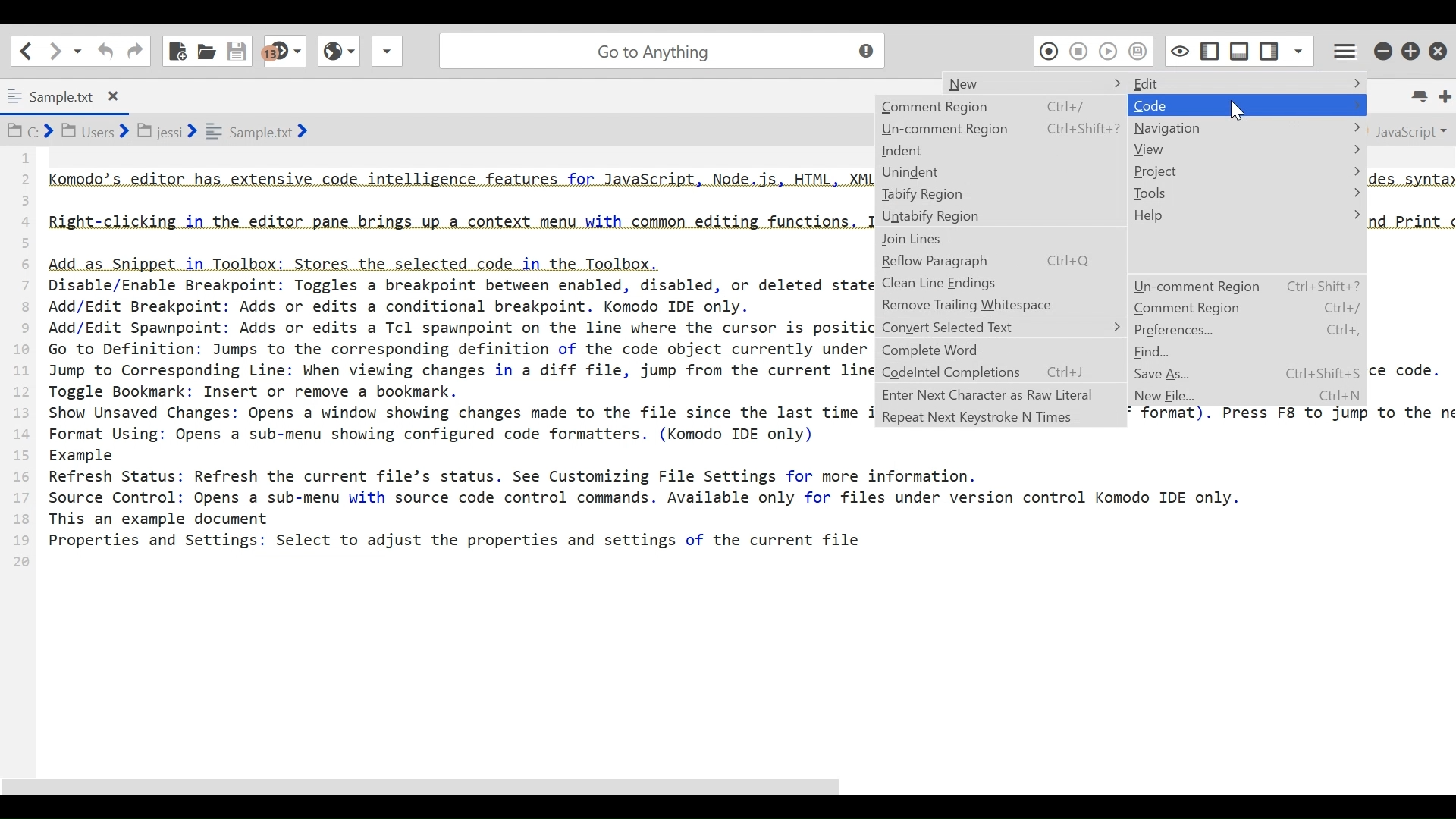 The height and width of the screenshot is (819, 1456). I want to click on Un-comment Region, so click(1000, 128).